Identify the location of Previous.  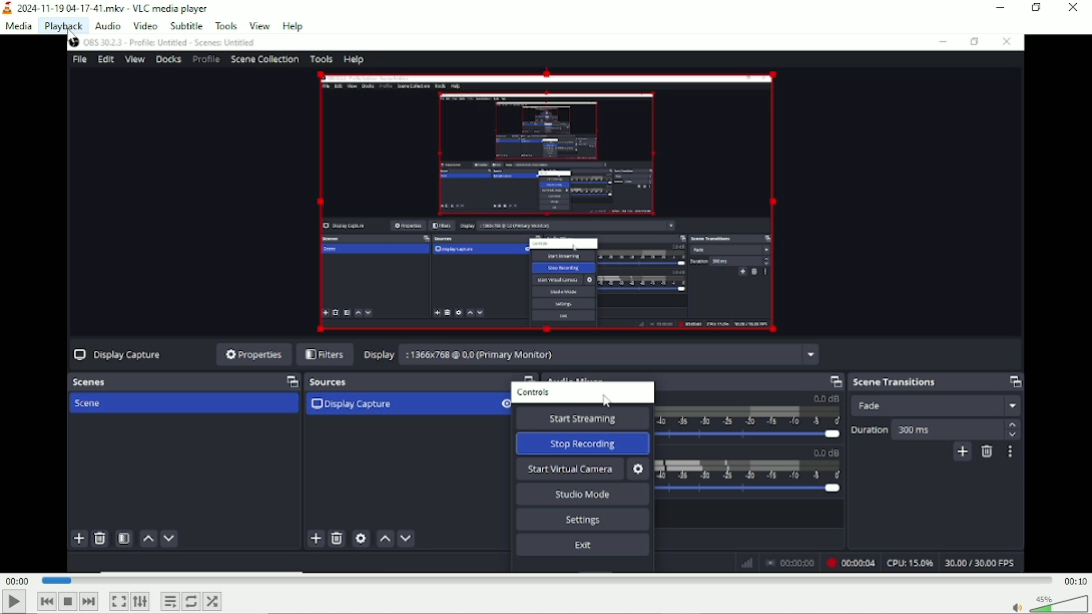
(47, 601).